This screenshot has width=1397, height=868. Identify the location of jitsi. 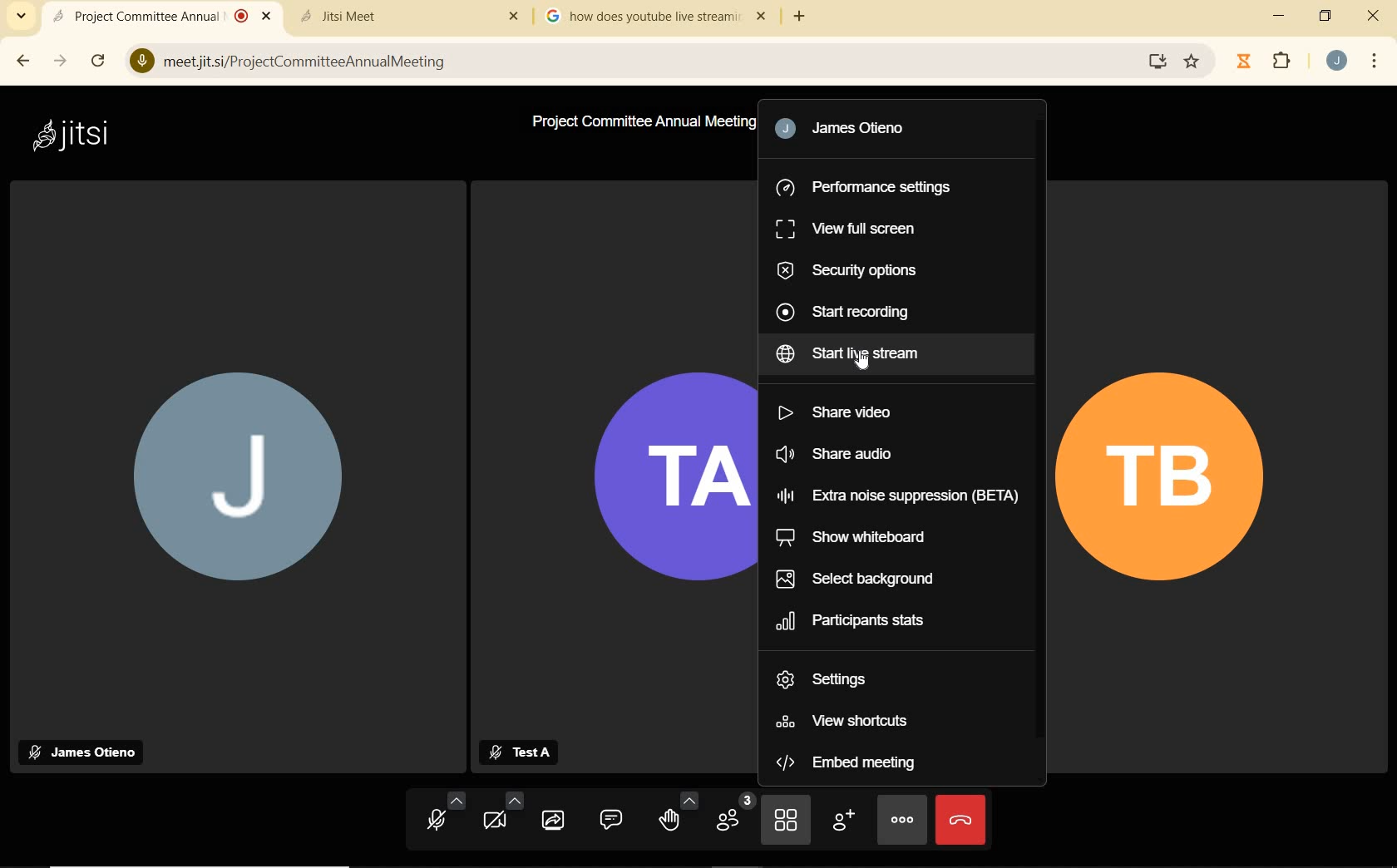
(86, 142).